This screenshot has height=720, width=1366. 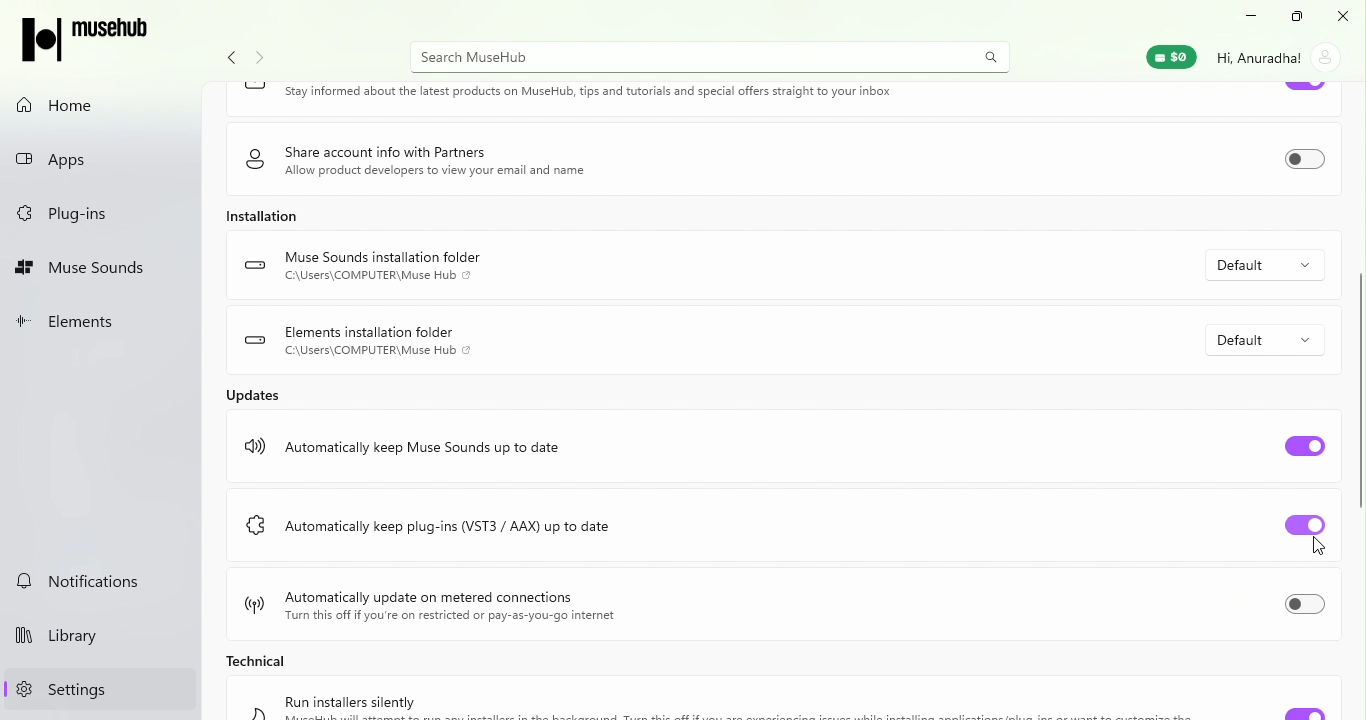 What do you see at coordinates (592, 93) in the screenshot?
I see `Keep in touch Stay informed about the latest products on MuseHub, tips and tutorials and special offers straight to your inbox` at bounding box center [592, 93].